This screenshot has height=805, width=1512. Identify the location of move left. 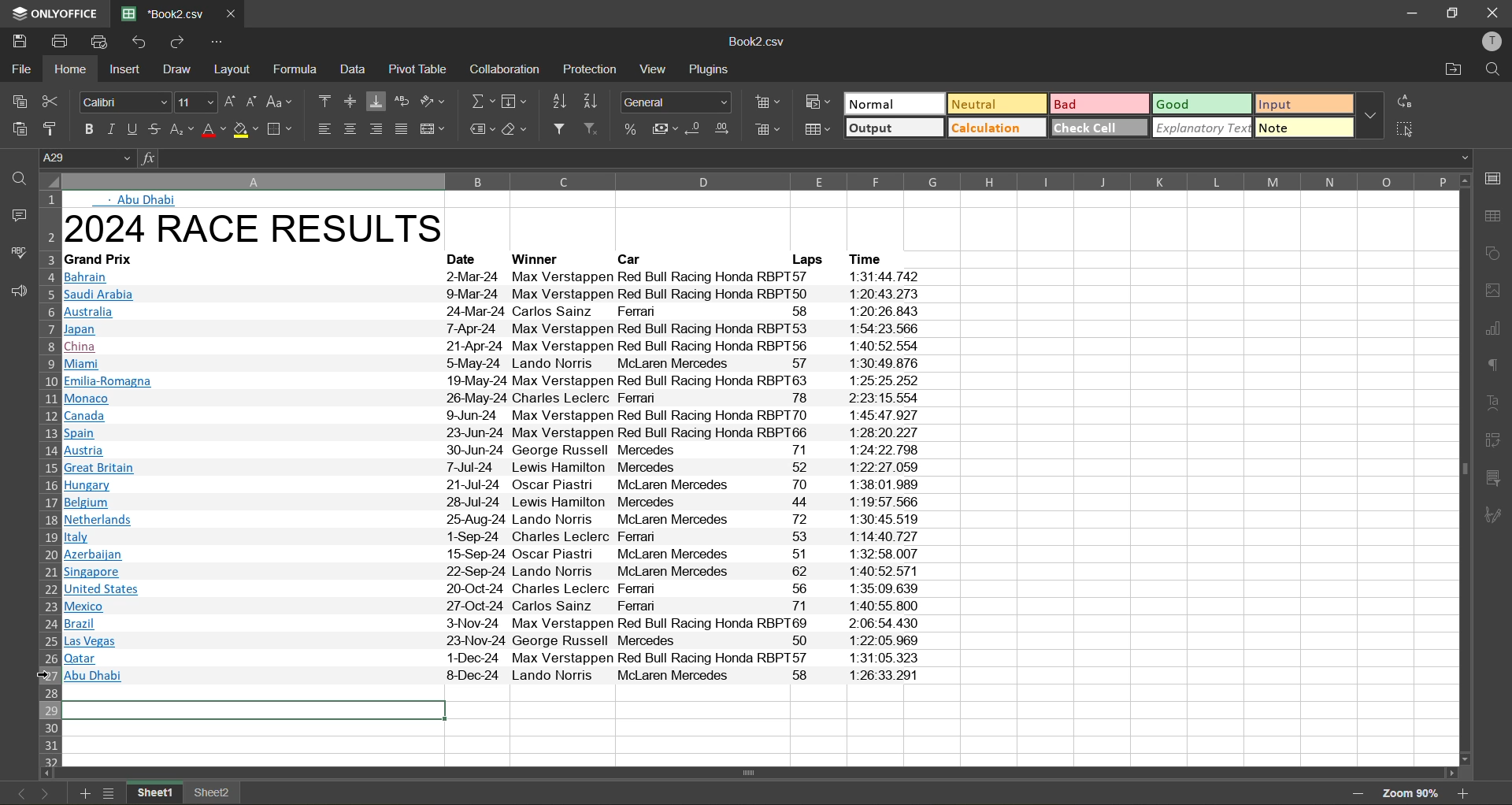
(47, 773).